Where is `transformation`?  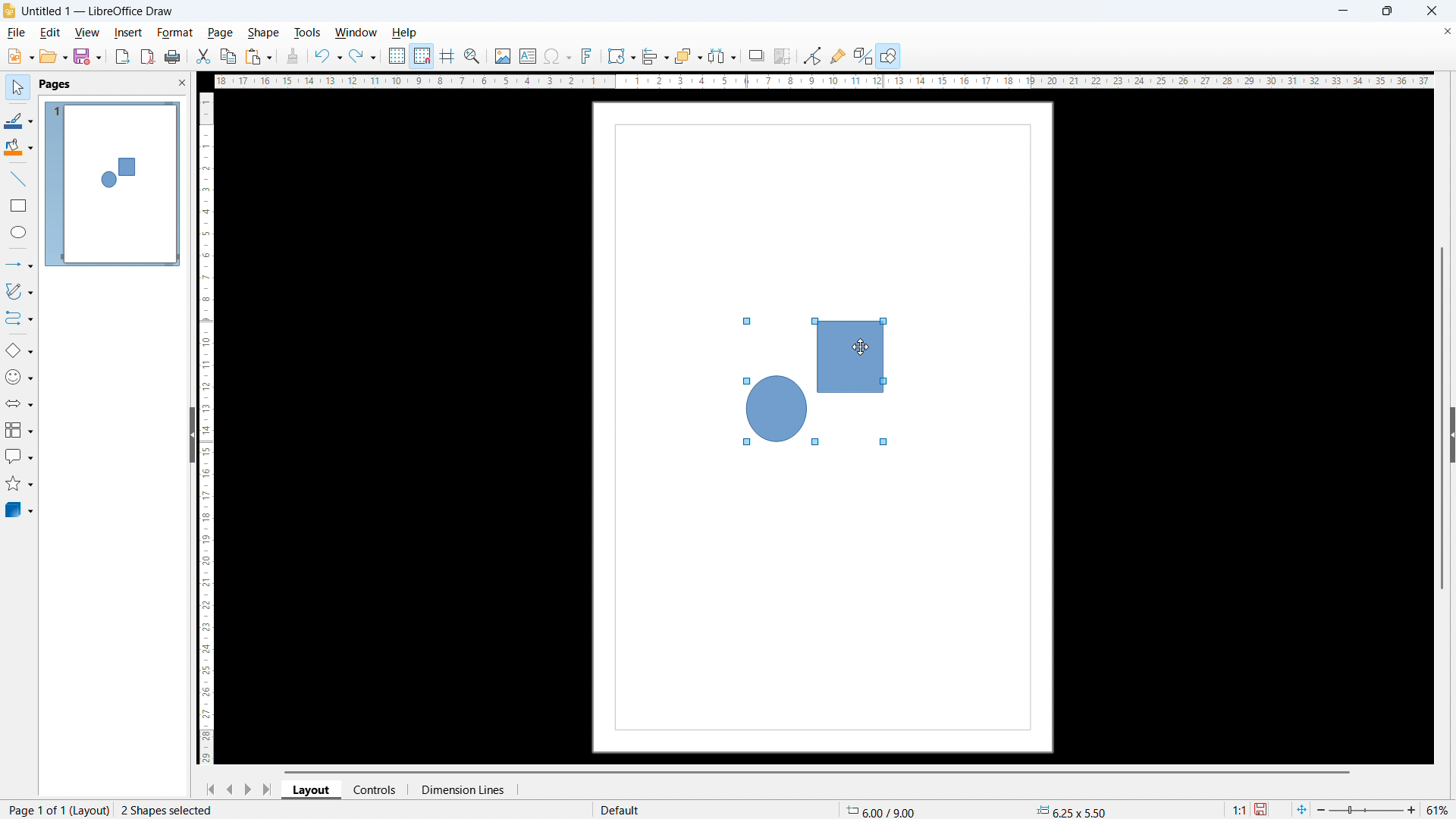
transformation is located at coordinates (620, 57).